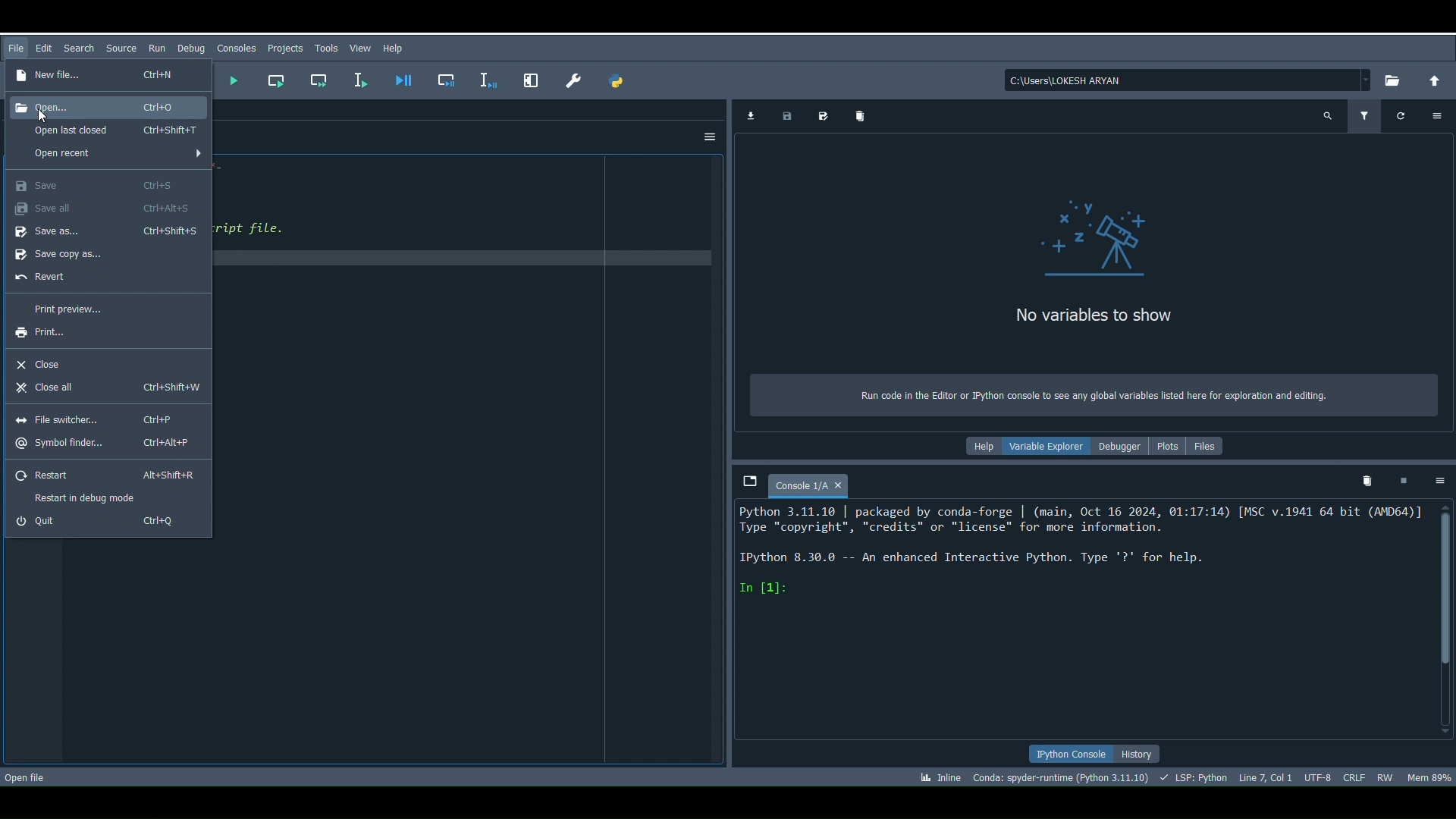  Describe the element at coordinates (324, 80) in the screenshot. I see `Run current cell and go to the next one (Shift + Return)` at that location.